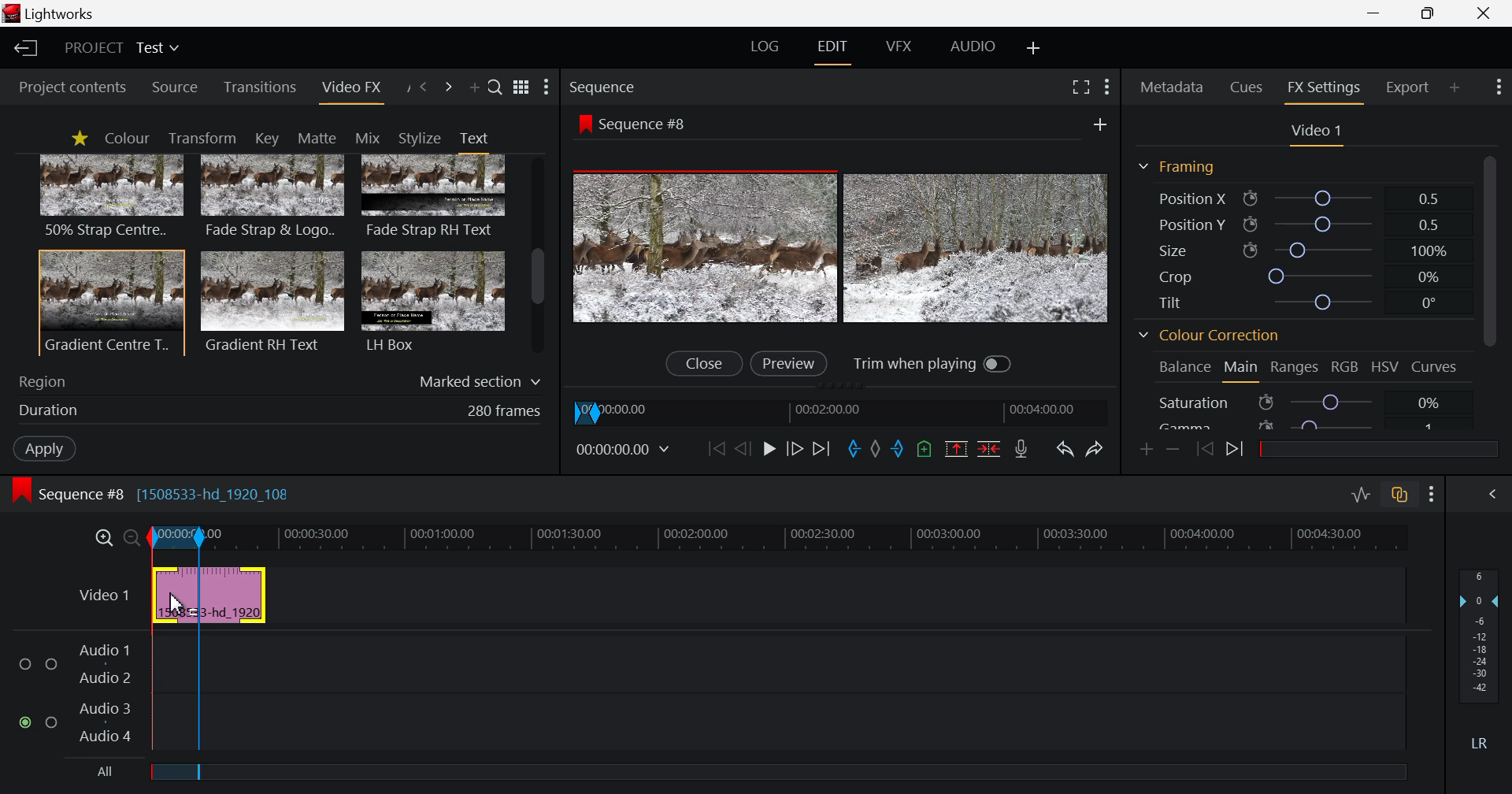 This screenshot has width=1512, height=794. What do you see at coordinates (714, 451) in the screenshot?
I see `To start` at bounding box center [714, 451].